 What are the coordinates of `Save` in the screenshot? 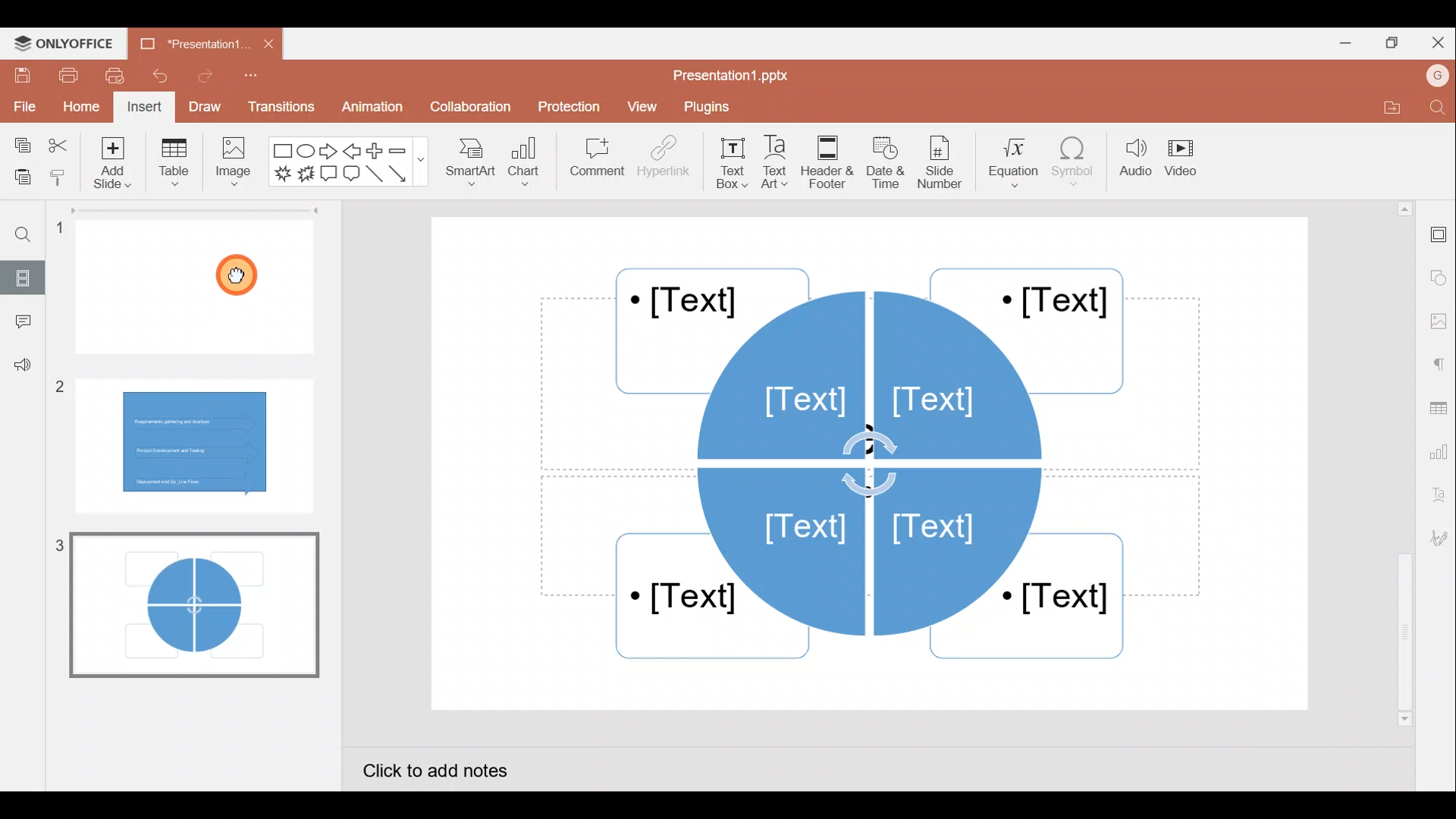 It's located at (20, 76).